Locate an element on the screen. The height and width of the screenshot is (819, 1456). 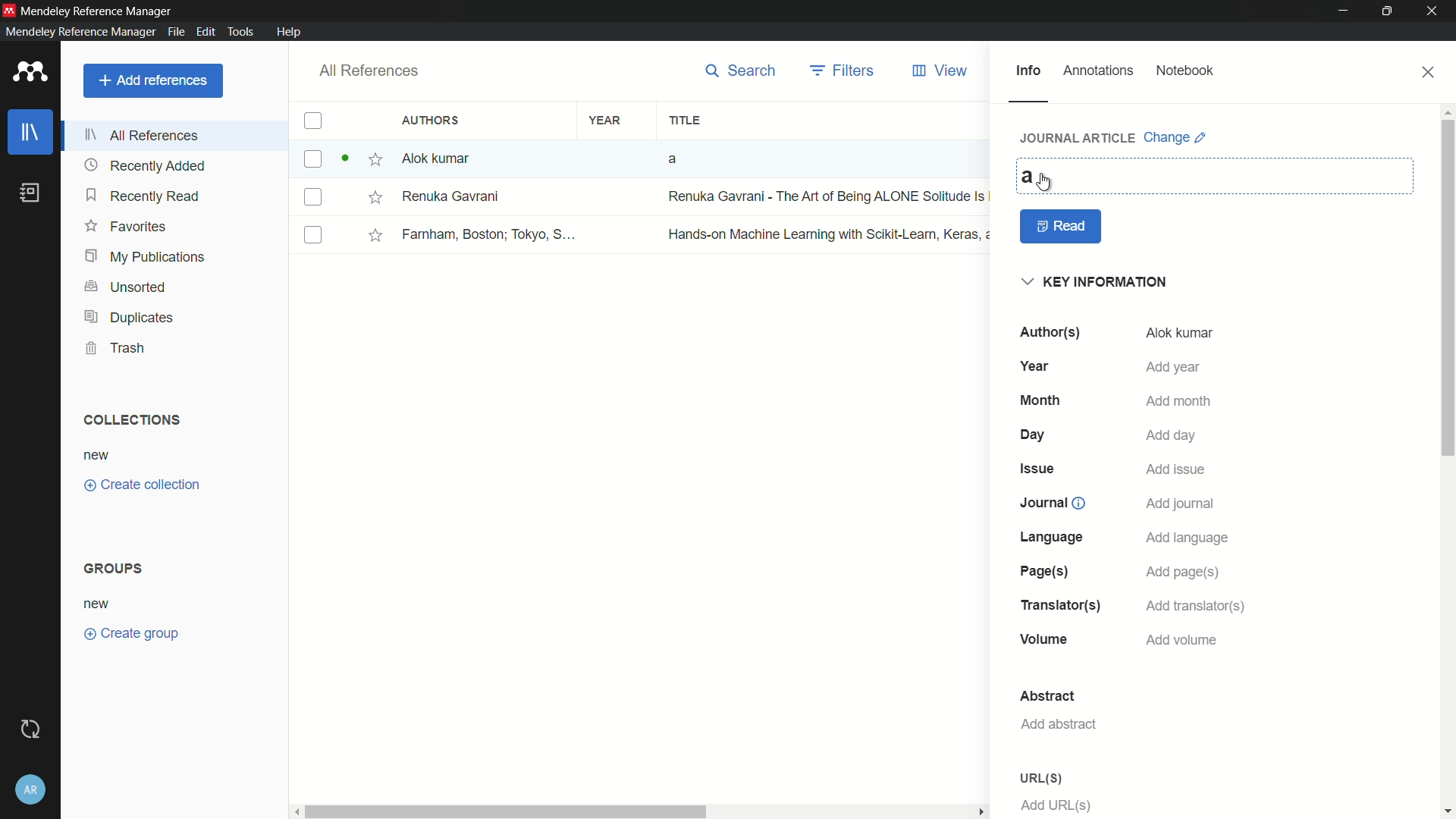
book-1 is located at coordinates (541, 158).